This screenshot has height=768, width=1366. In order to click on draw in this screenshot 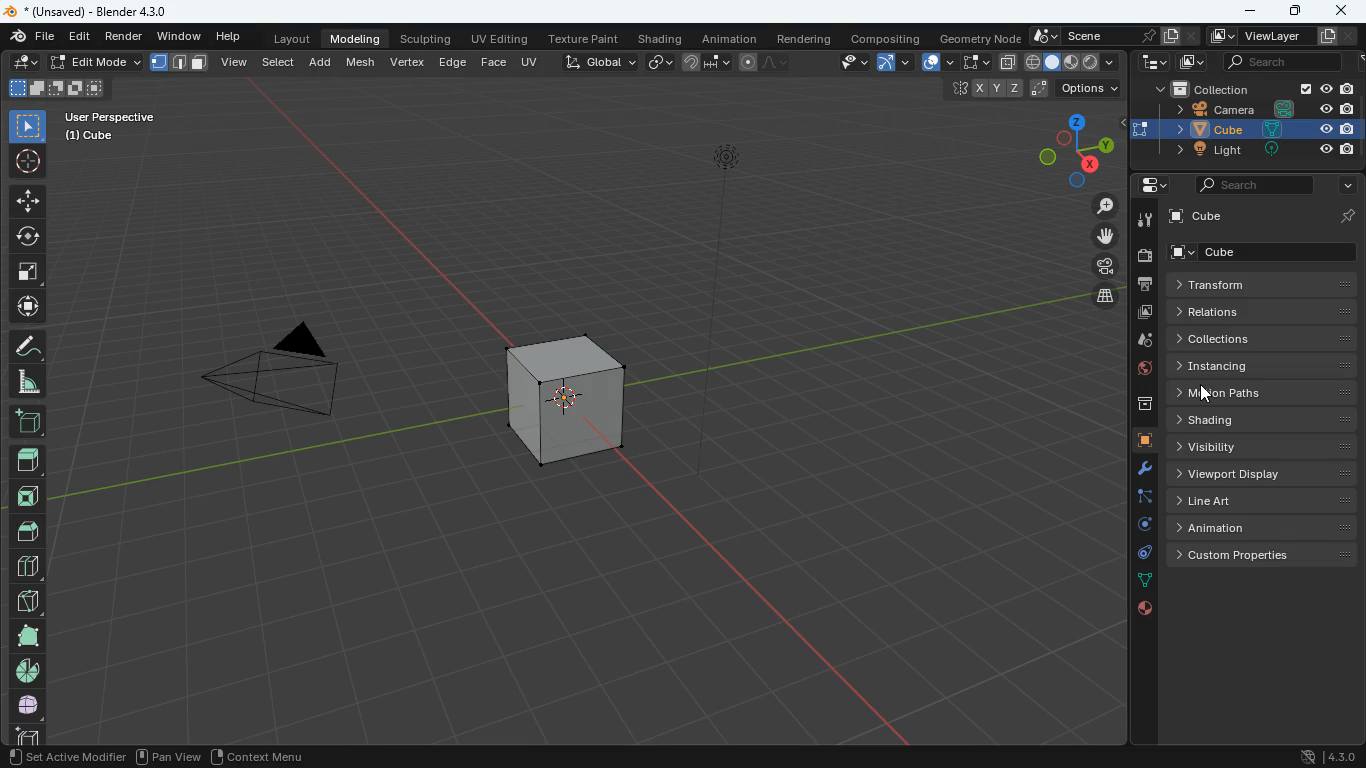, I will do `click(761, 62)`.